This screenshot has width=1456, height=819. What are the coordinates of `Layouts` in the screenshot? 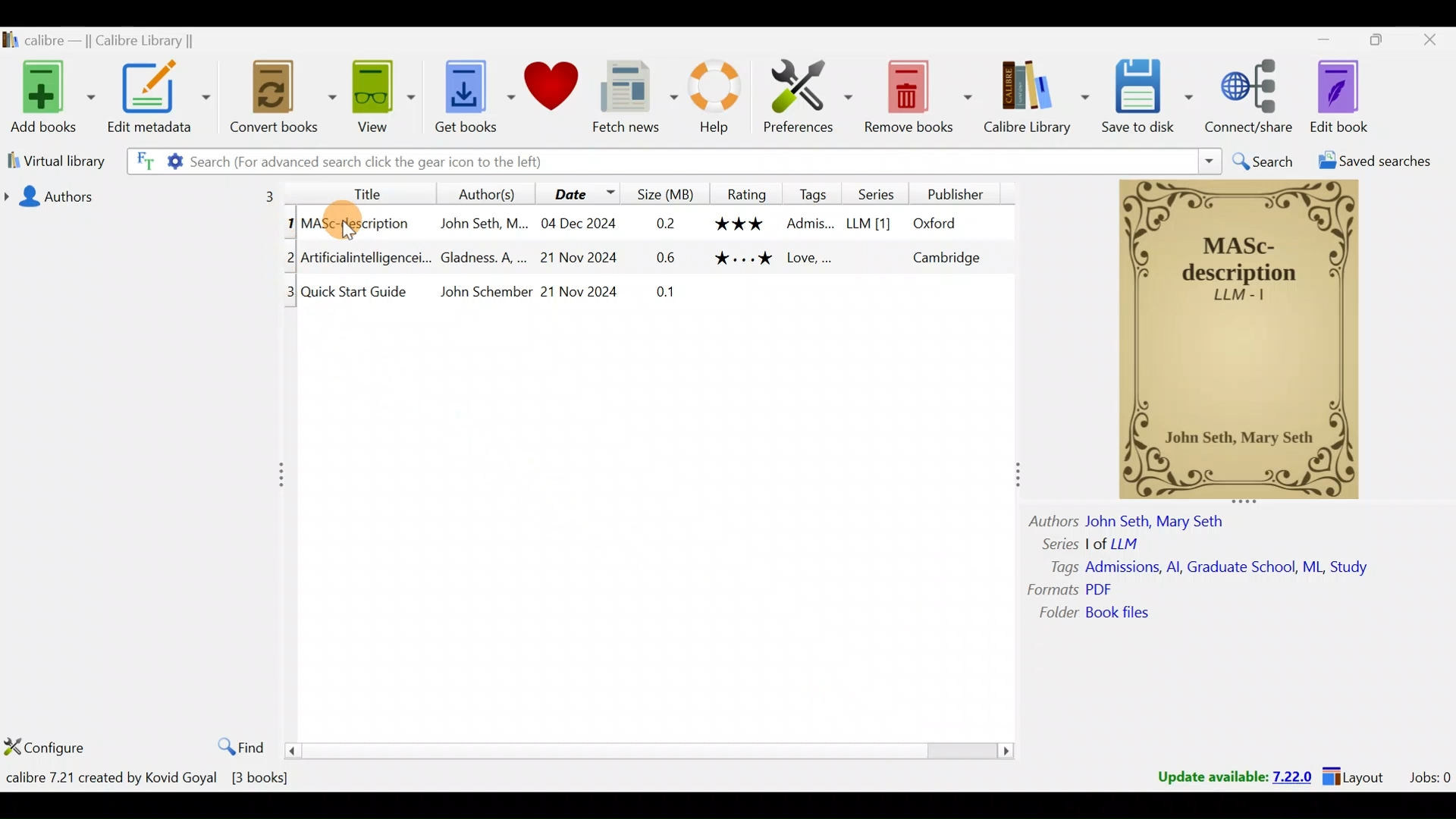 It's located at (1360, 780).